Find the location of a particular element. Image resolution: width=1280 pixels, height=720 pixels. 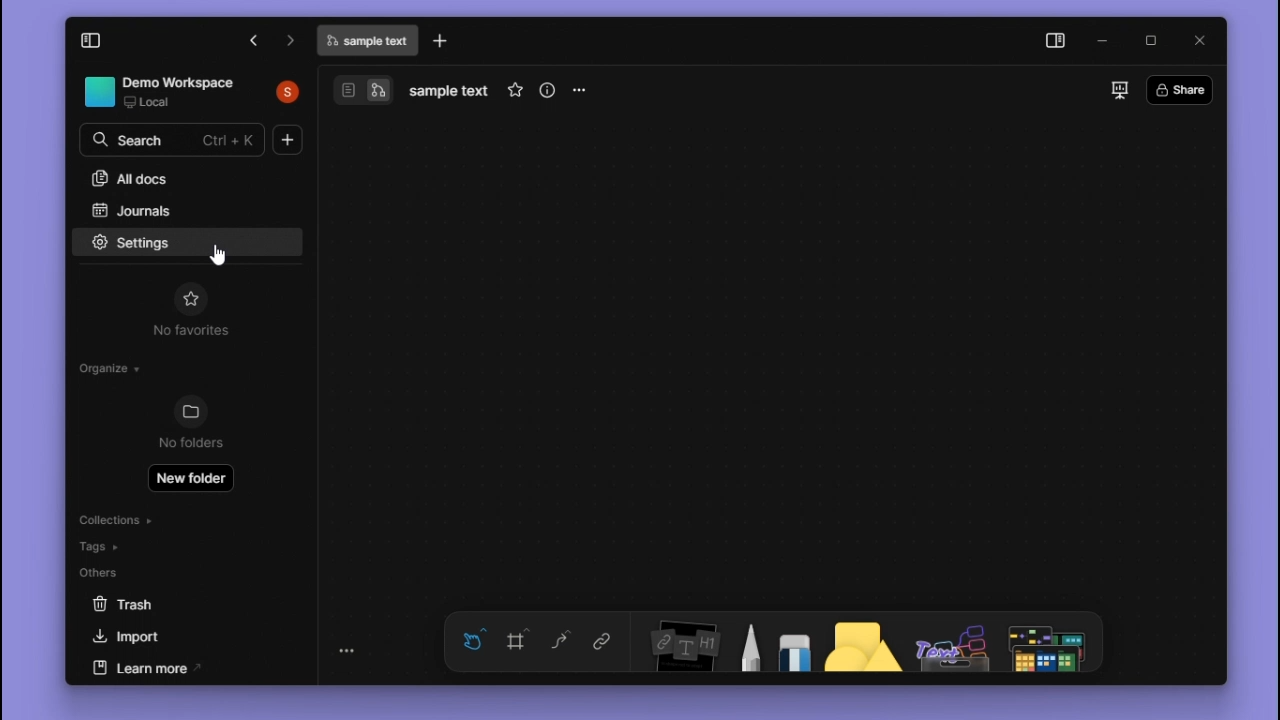

no favorites is located at coordinates (191, 331).